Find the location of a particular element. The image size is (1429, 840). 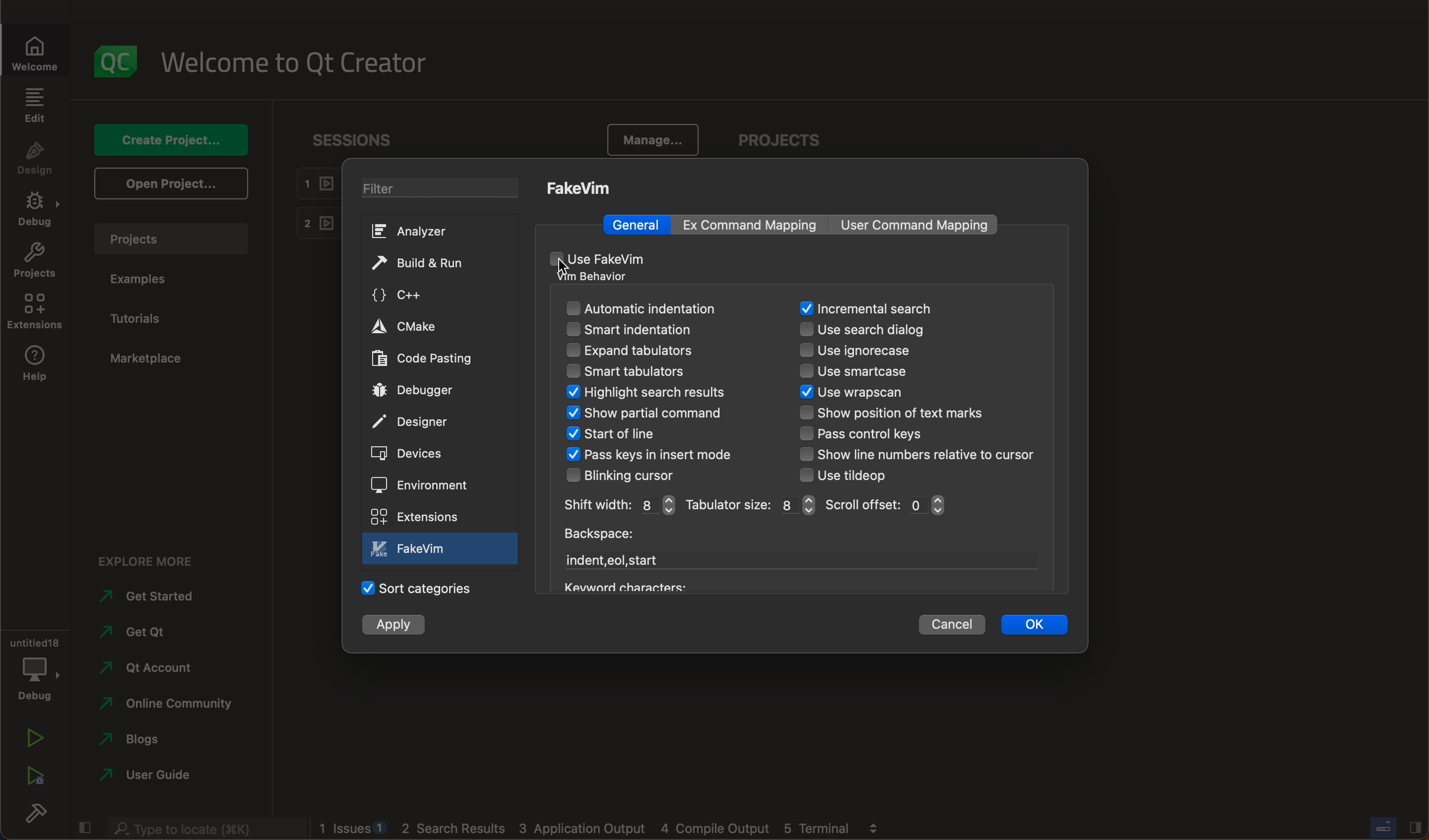

open is located at coordinates (173, 183).